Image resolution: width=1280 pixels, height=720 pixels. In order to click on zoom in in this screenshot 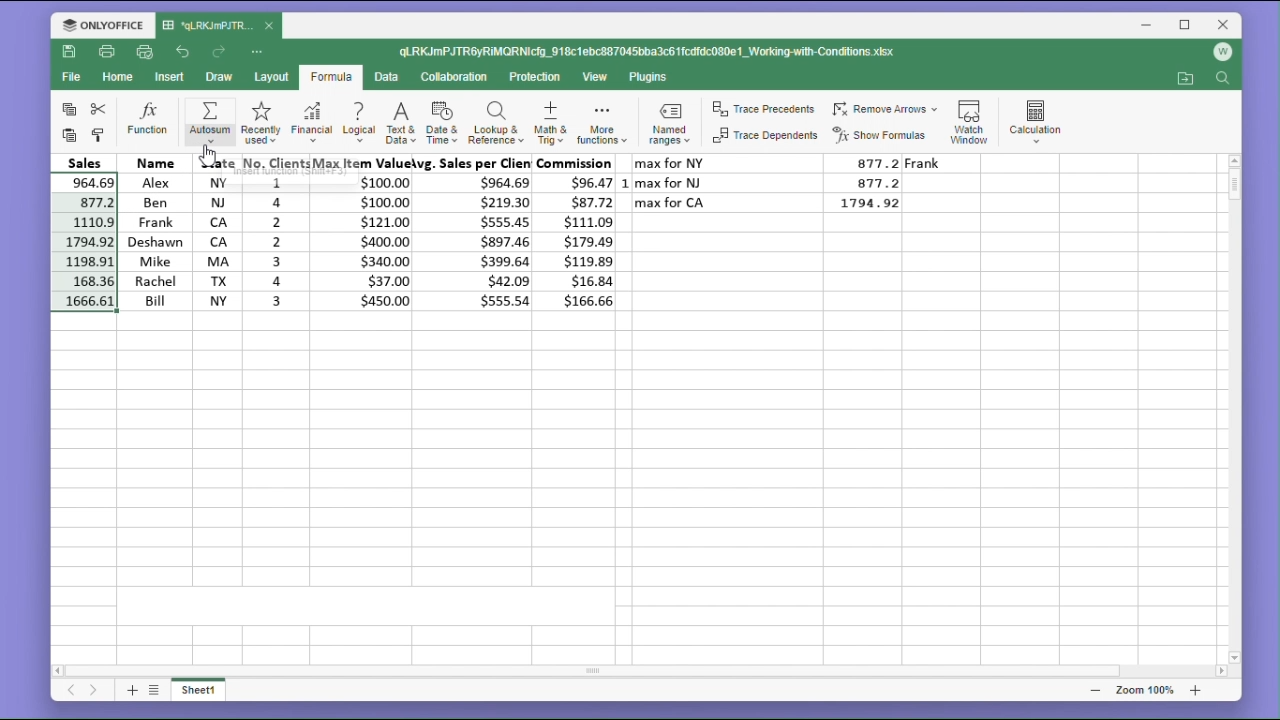, I will do `click(1195, 690)`.